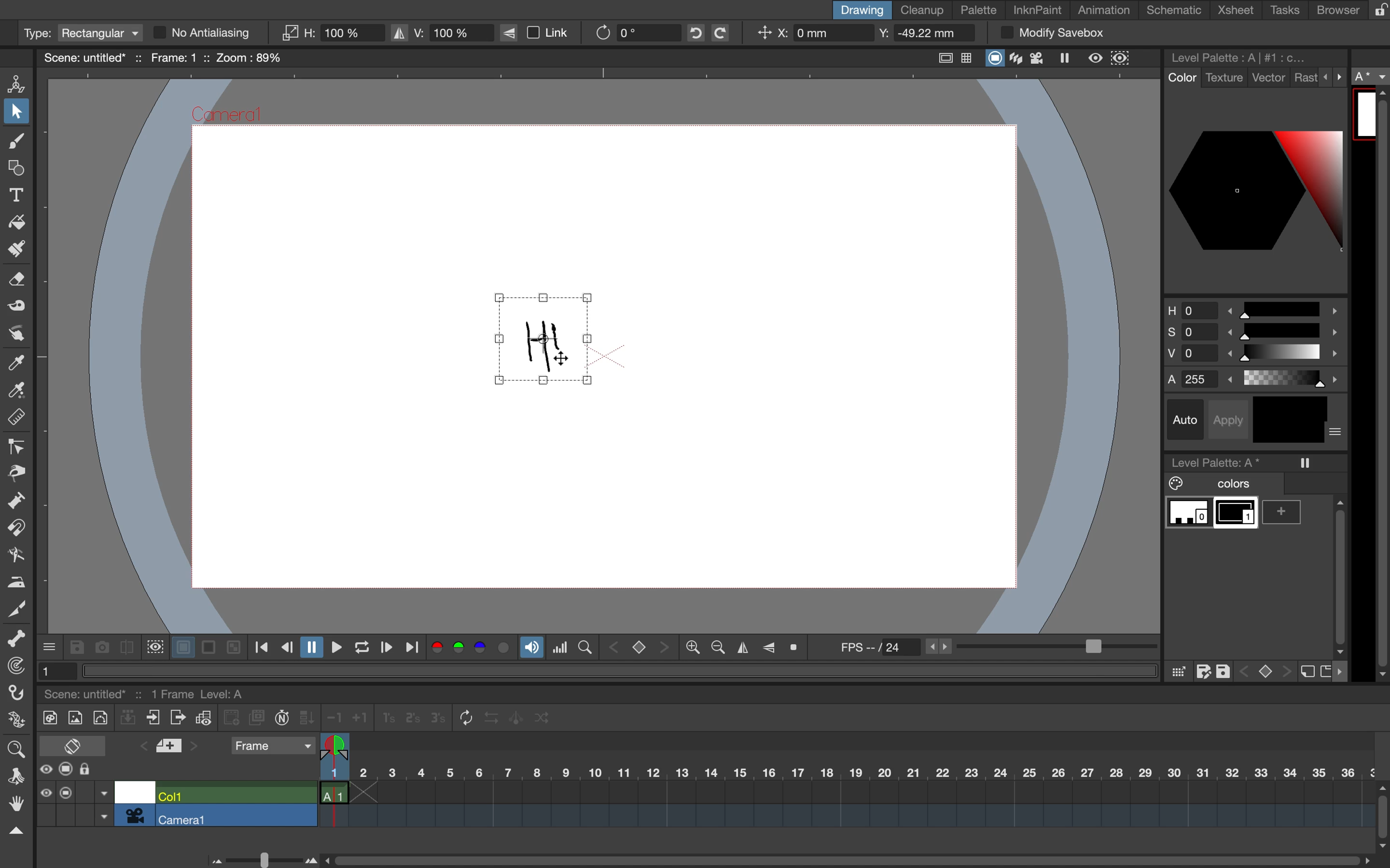  What do you see at coordinates (967, 59) in the screenshot?
I see `field guide` at bounding box center [967, 59].